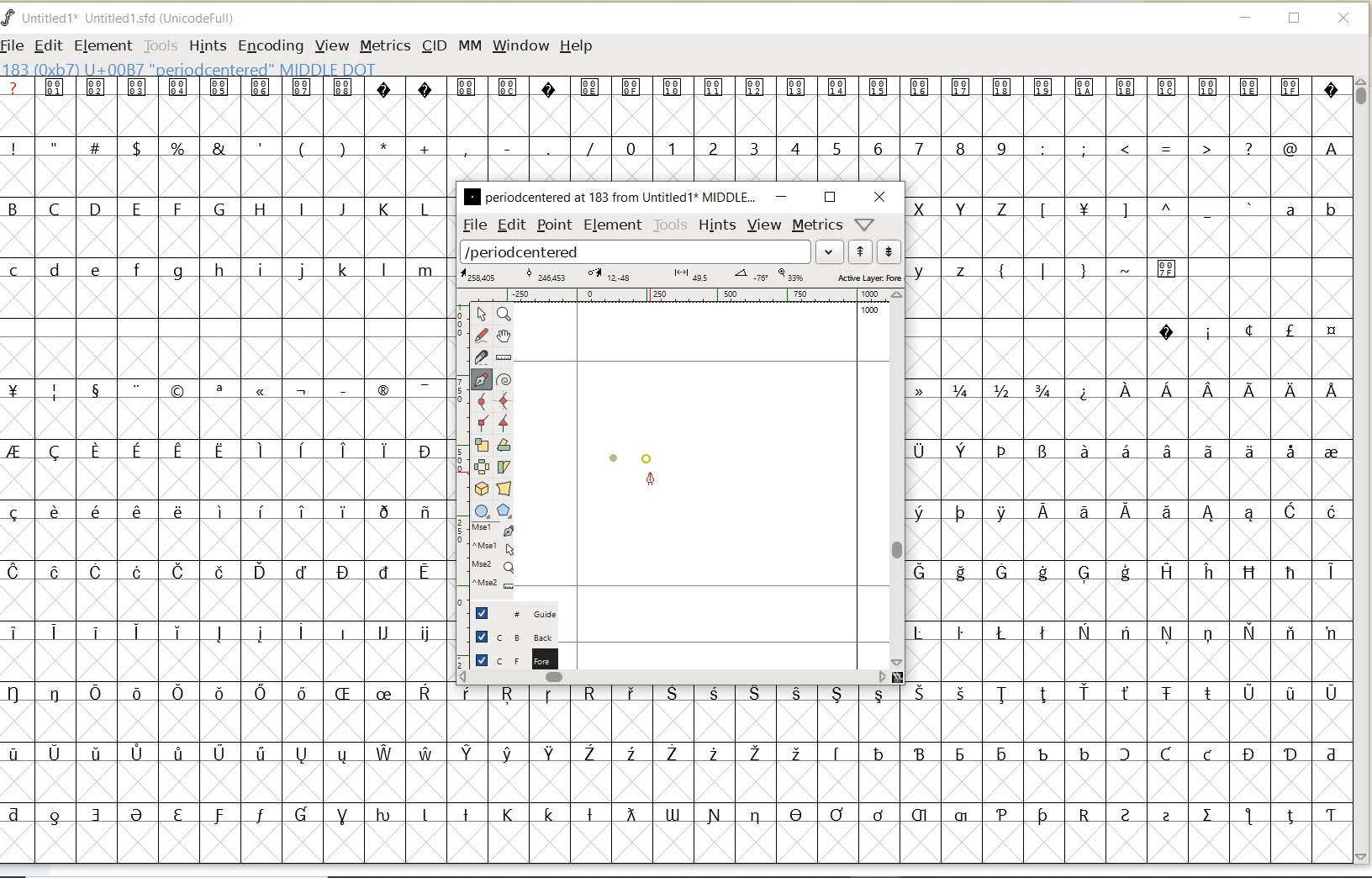  Describe the element at coordinates (765, 225) in the screenshot. I see `view` at that location.